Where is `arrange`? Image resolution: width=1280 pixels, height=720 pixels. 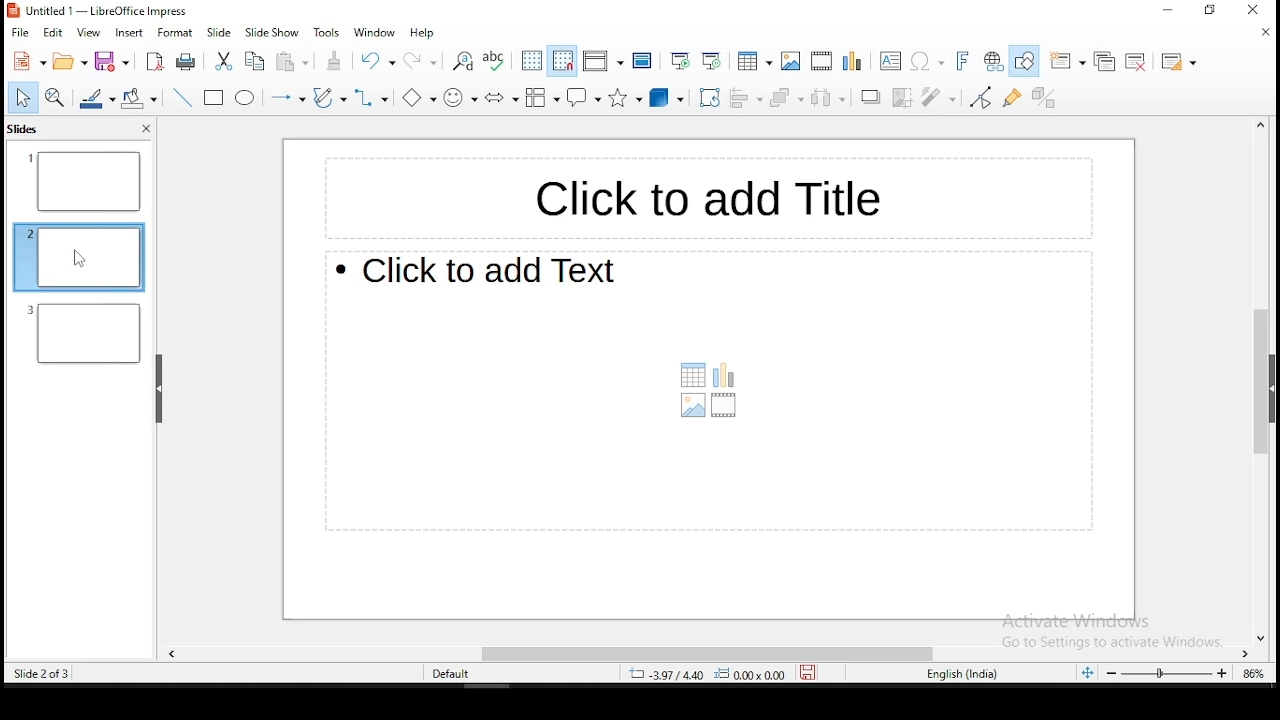 arrange is located at coordinates (788, 98).